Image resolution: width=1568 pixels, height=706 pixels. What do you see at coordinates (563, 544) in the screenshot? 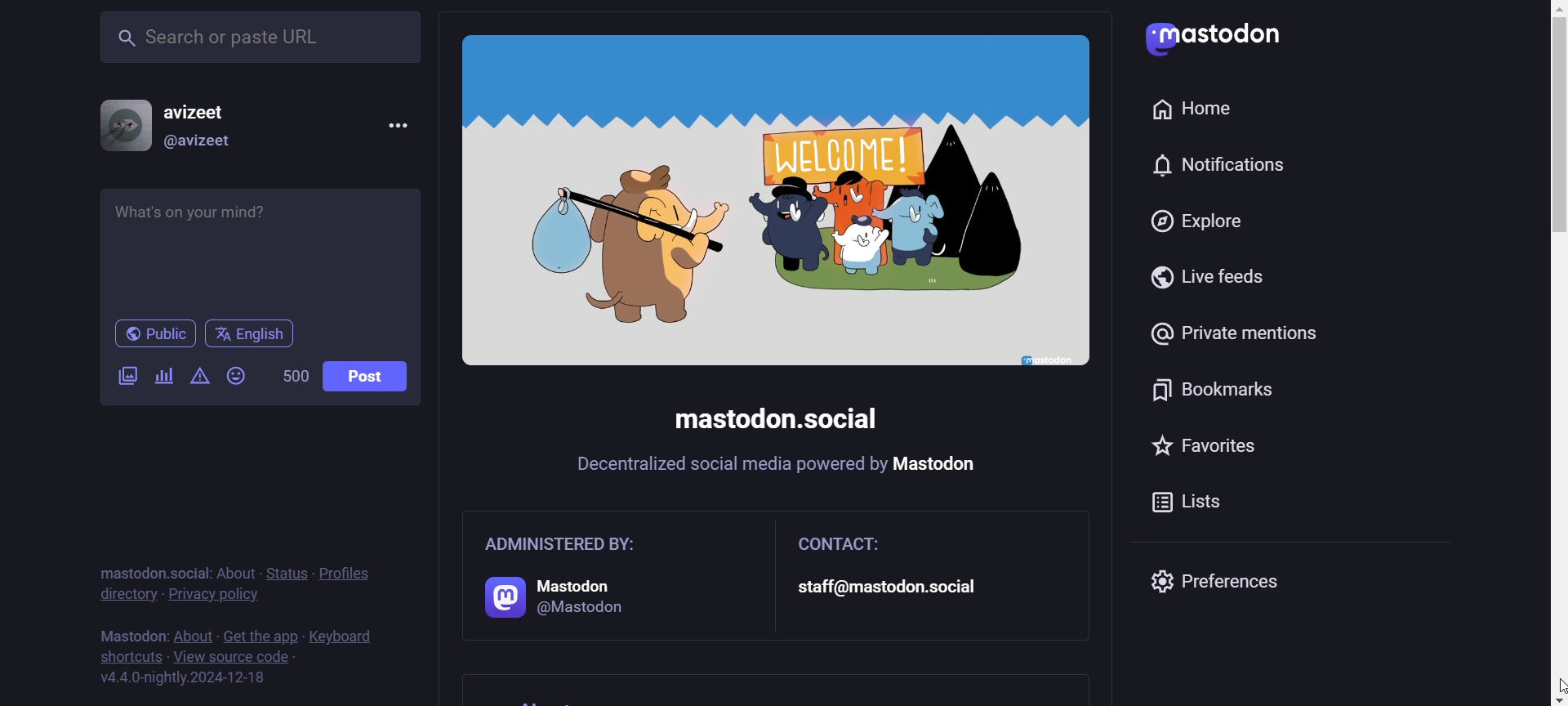
I see `ADMINISTERED BY:` at bounding box center [563, 544].